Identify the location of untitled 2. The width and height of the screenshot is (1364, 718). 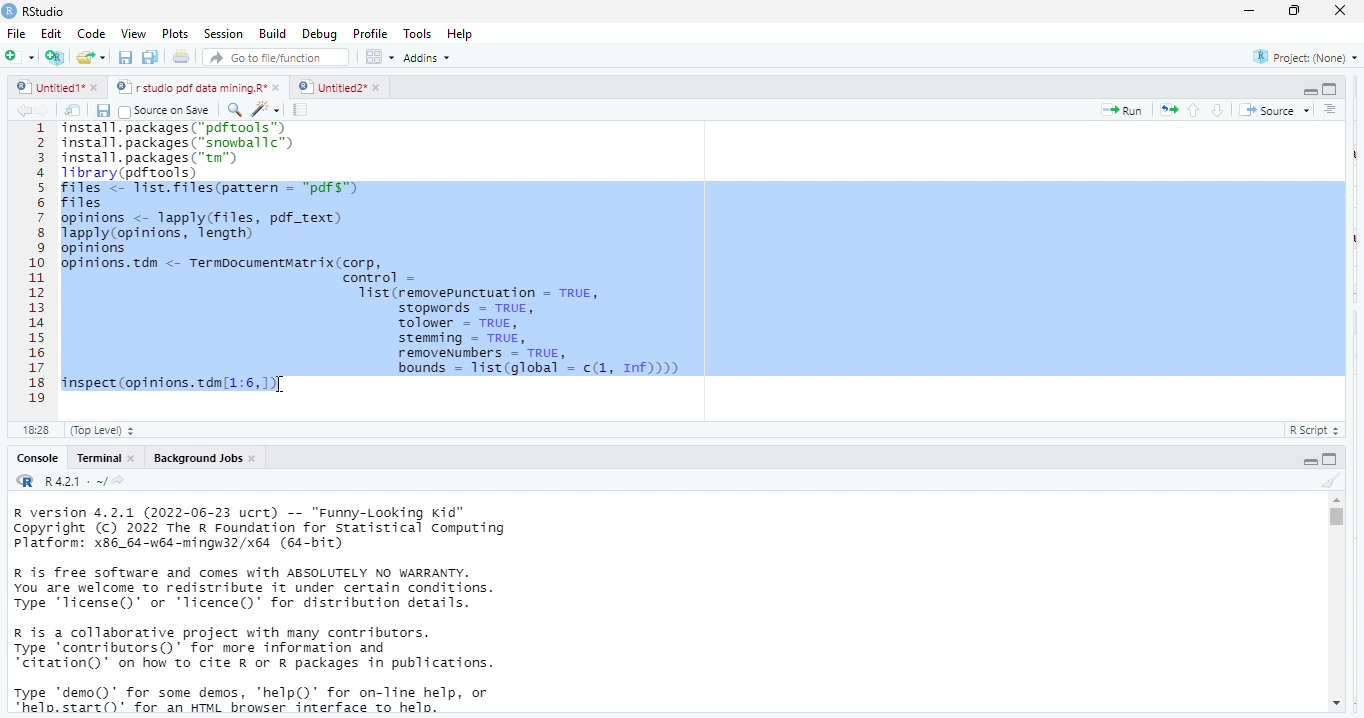
(330, 86).